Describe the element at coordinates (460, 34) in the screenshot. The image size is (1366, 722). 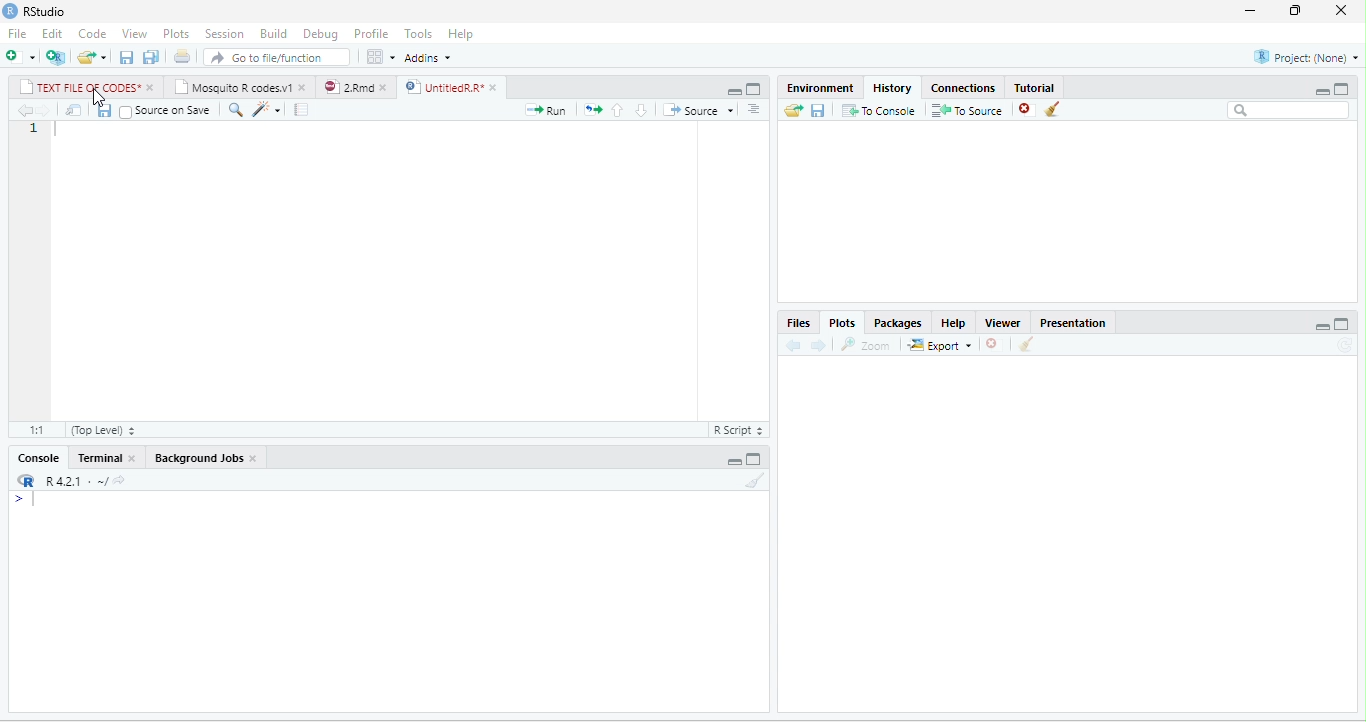
I see `Help` at that location.